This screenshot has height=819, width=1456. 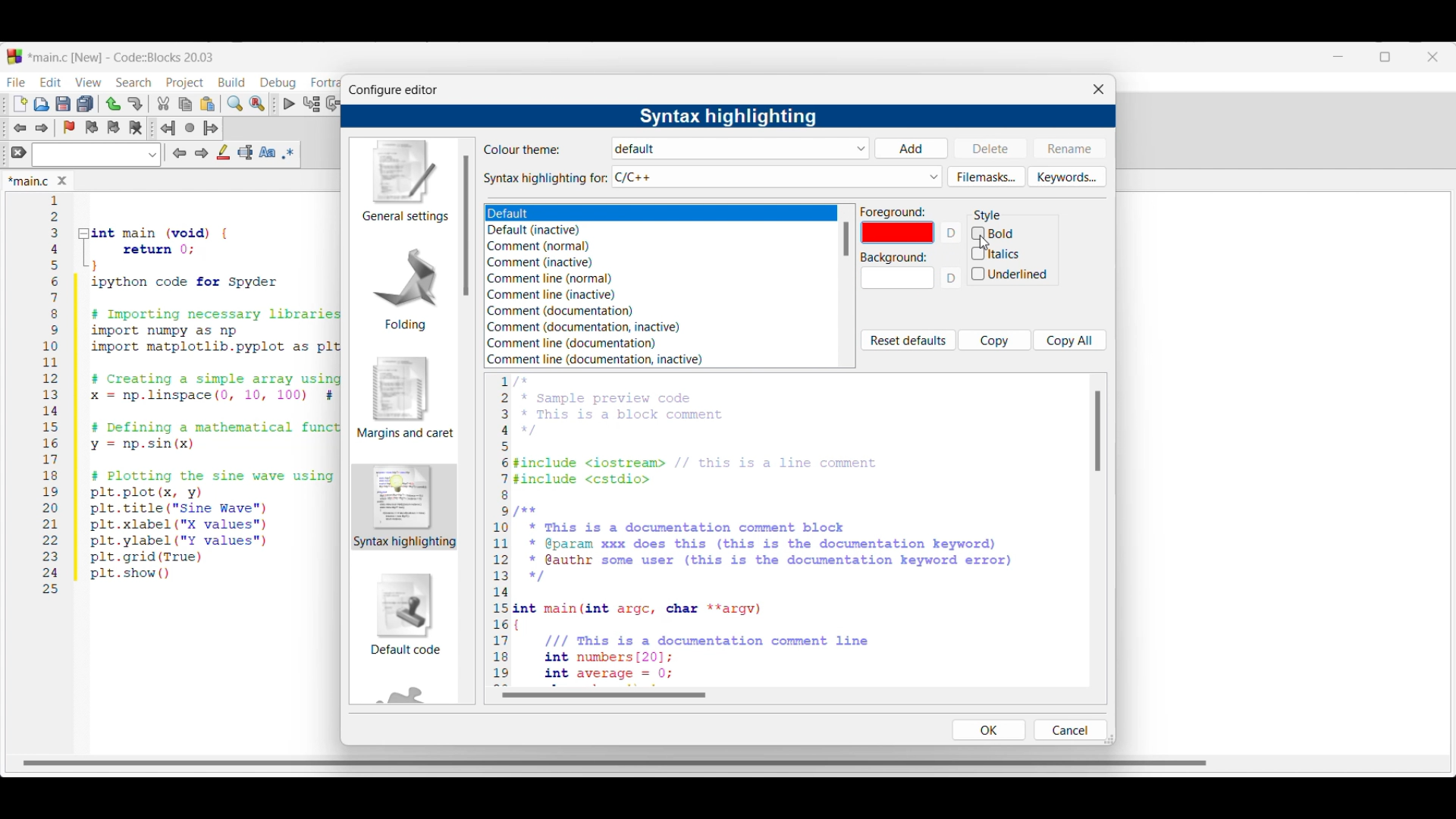 I want to click on Change dimension, so click(x=1109, y=739).